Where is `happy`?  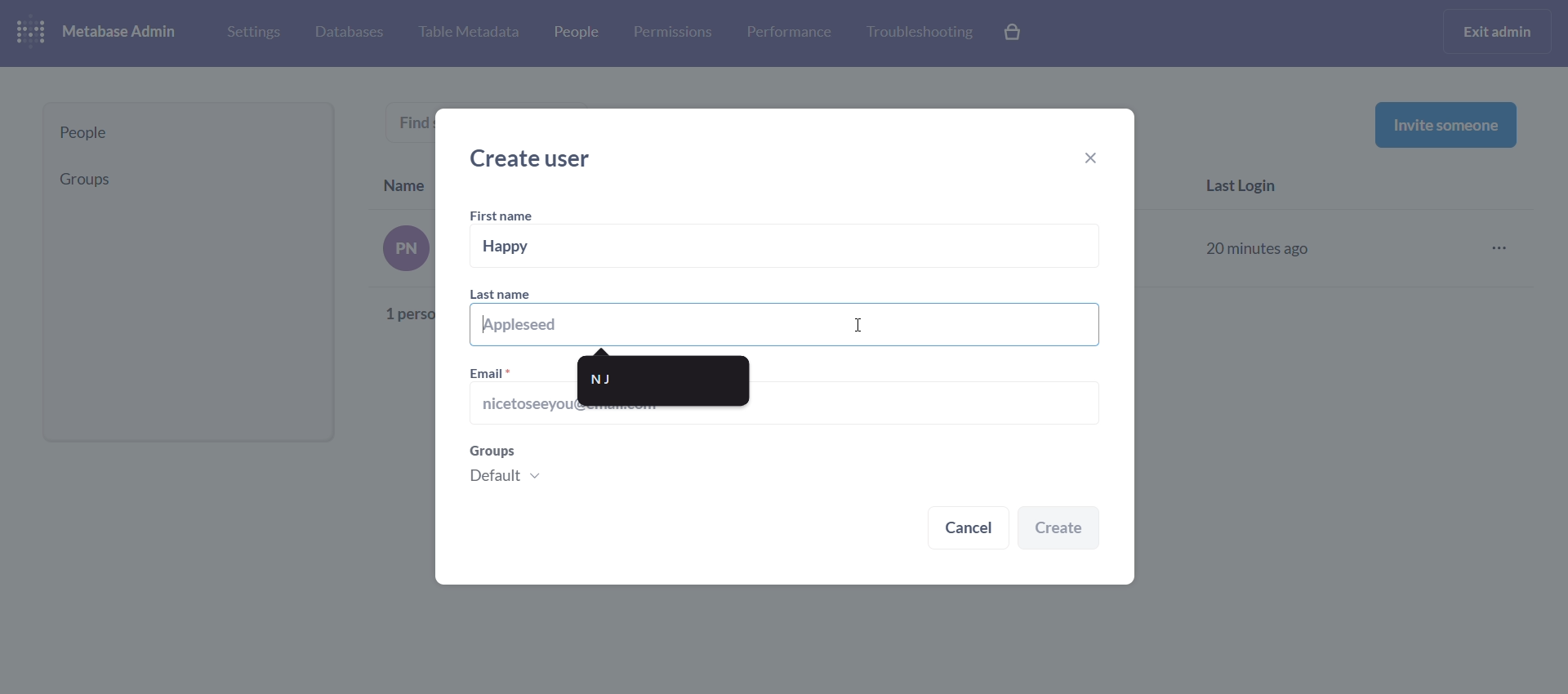 happy is located at coordinates (787, 247).